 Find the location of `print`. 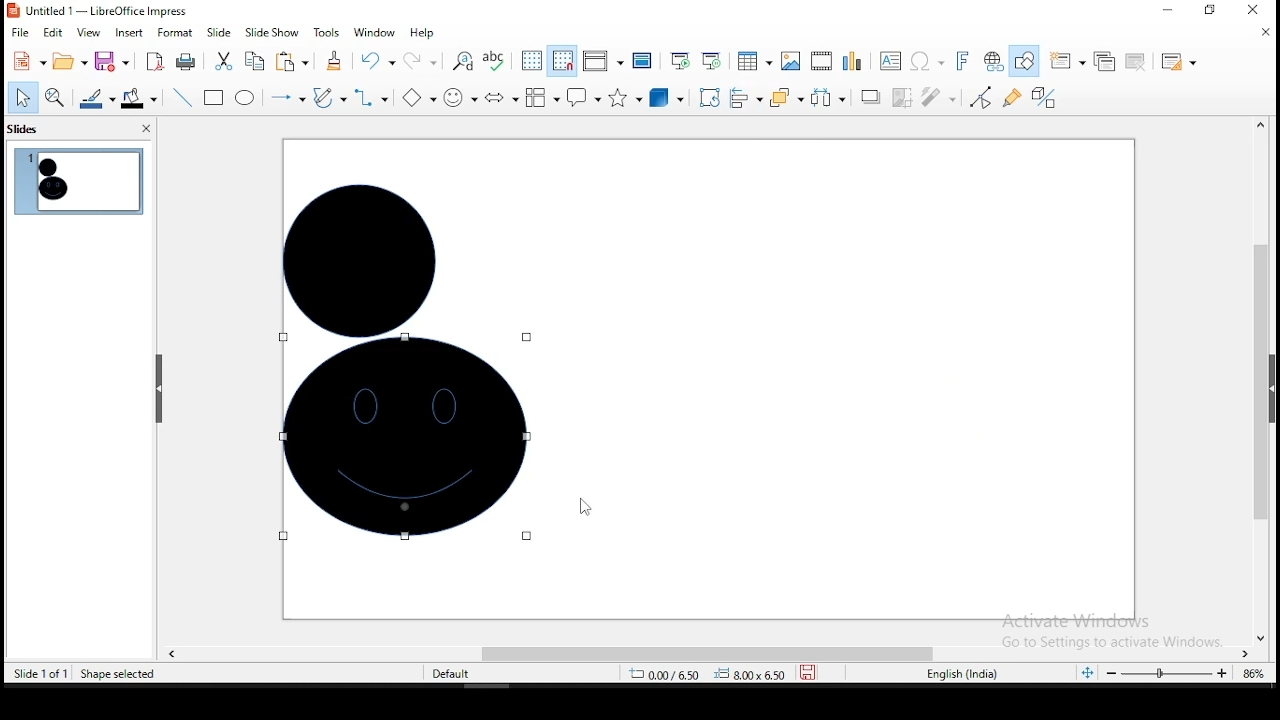

print is located at coordinates (186, 63).